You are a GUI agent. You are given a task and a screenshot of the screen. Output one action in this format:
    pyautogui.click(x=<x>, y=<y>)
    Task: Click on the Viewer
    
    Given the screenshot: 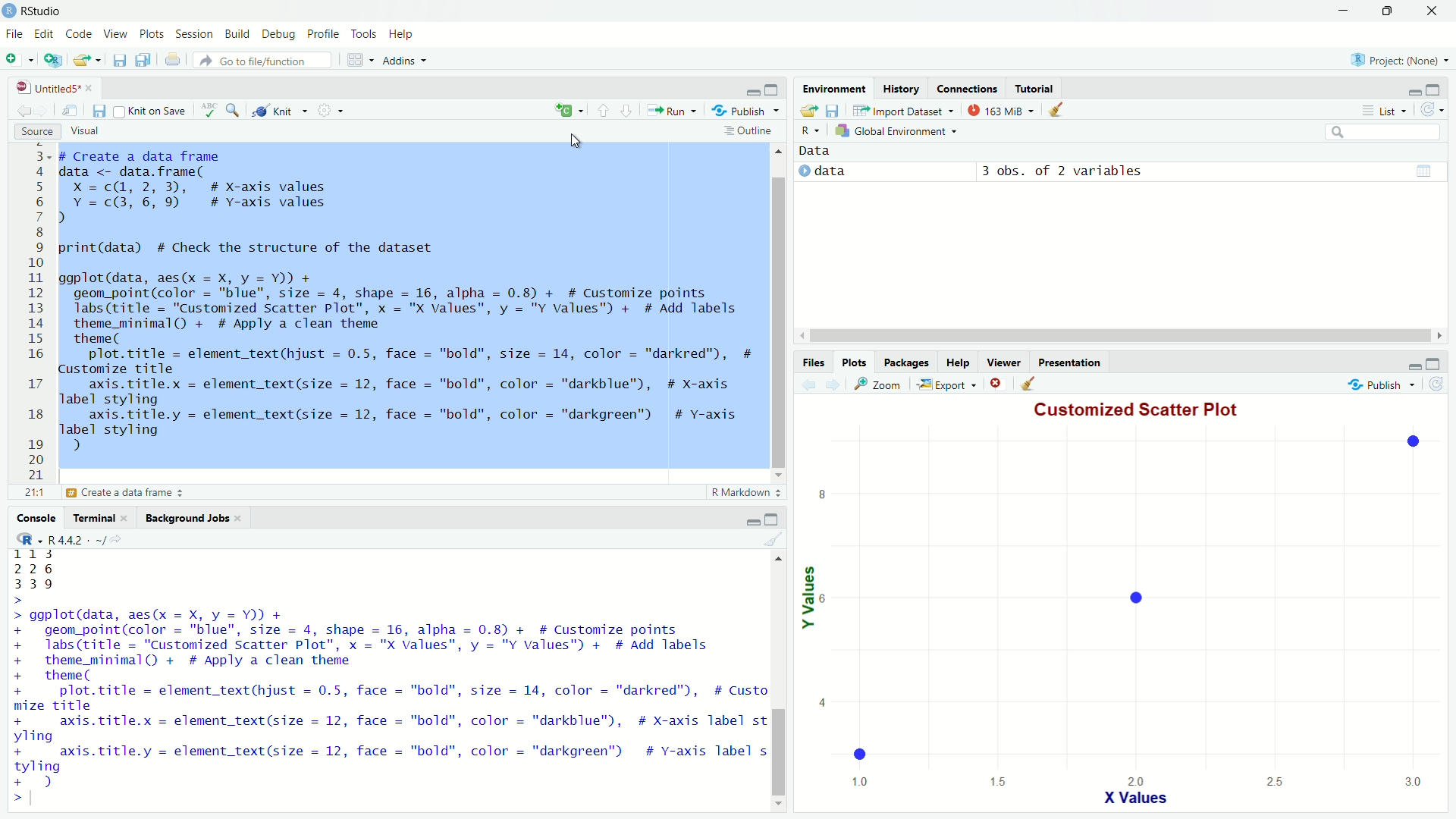 What is the action you would take?
    pyautogui.click(x=1002, y=365)
    